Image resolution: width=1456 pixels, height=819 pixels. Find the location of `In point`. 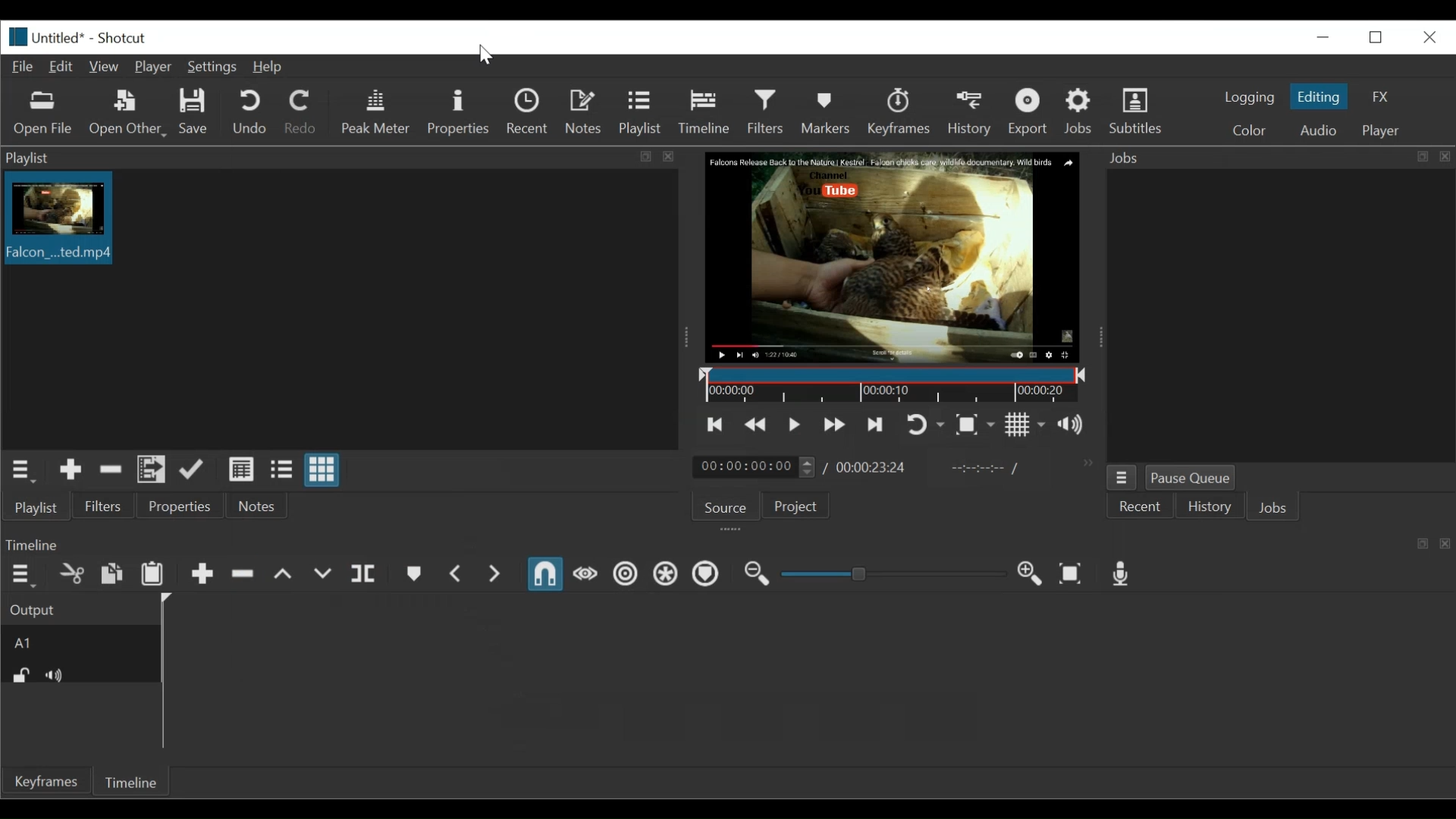

In point is located at coordinates (977, 468).